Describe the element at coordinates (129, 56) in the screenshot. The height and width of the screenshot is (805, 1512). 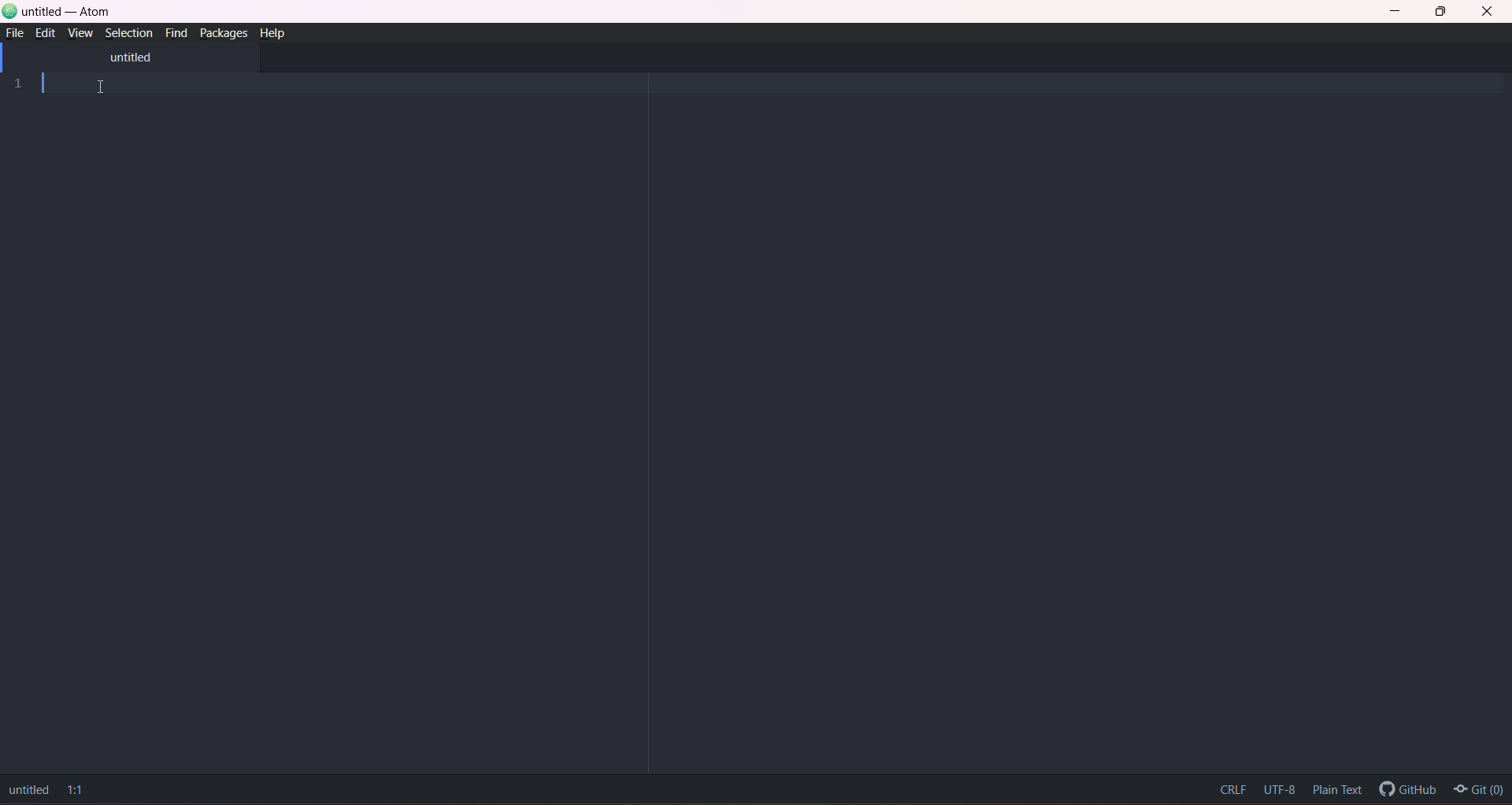
I see `untitled` at that location.